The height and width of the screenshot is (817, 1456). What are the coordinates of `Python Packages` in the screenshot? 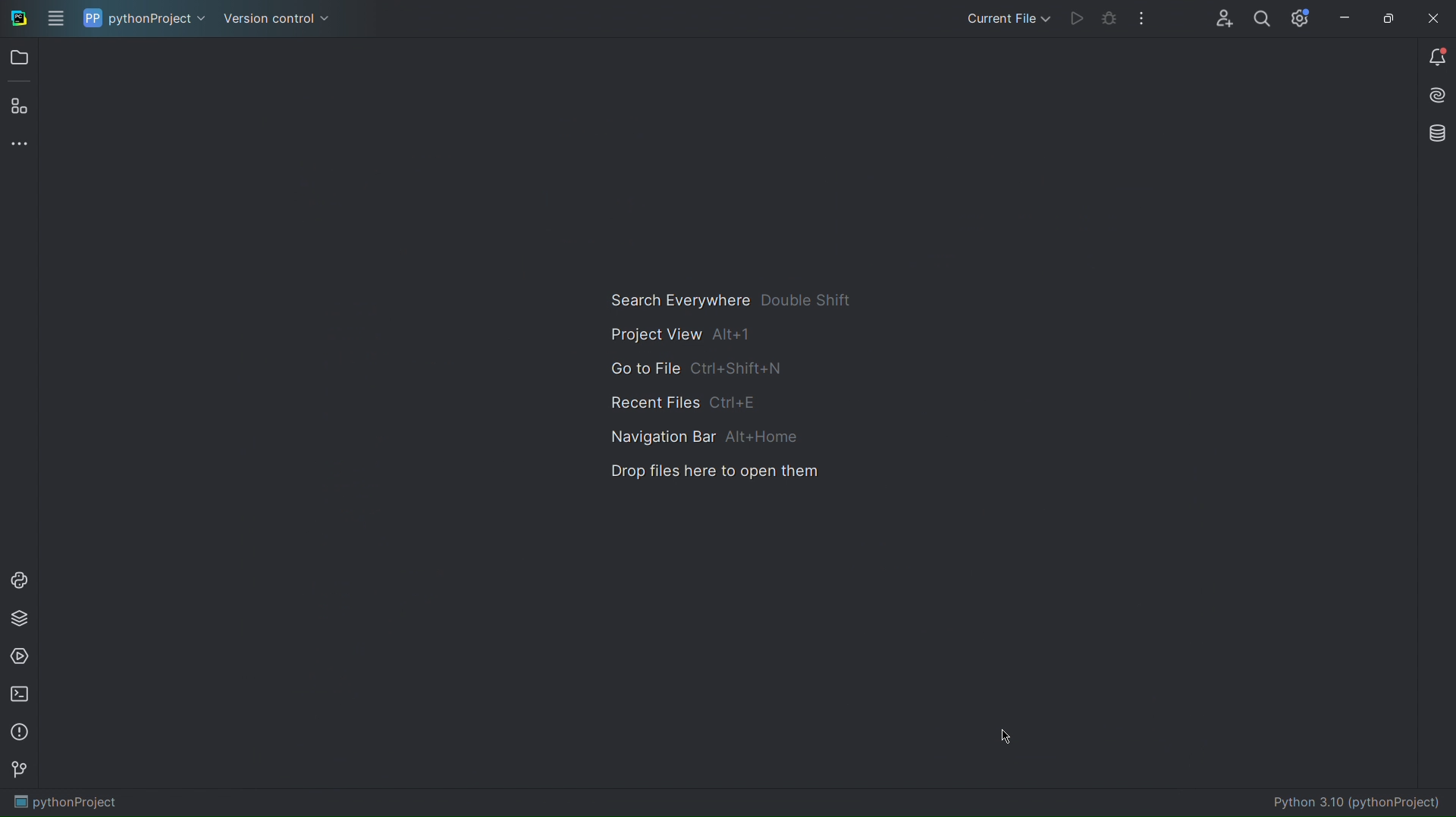 It's located at (22, 621).